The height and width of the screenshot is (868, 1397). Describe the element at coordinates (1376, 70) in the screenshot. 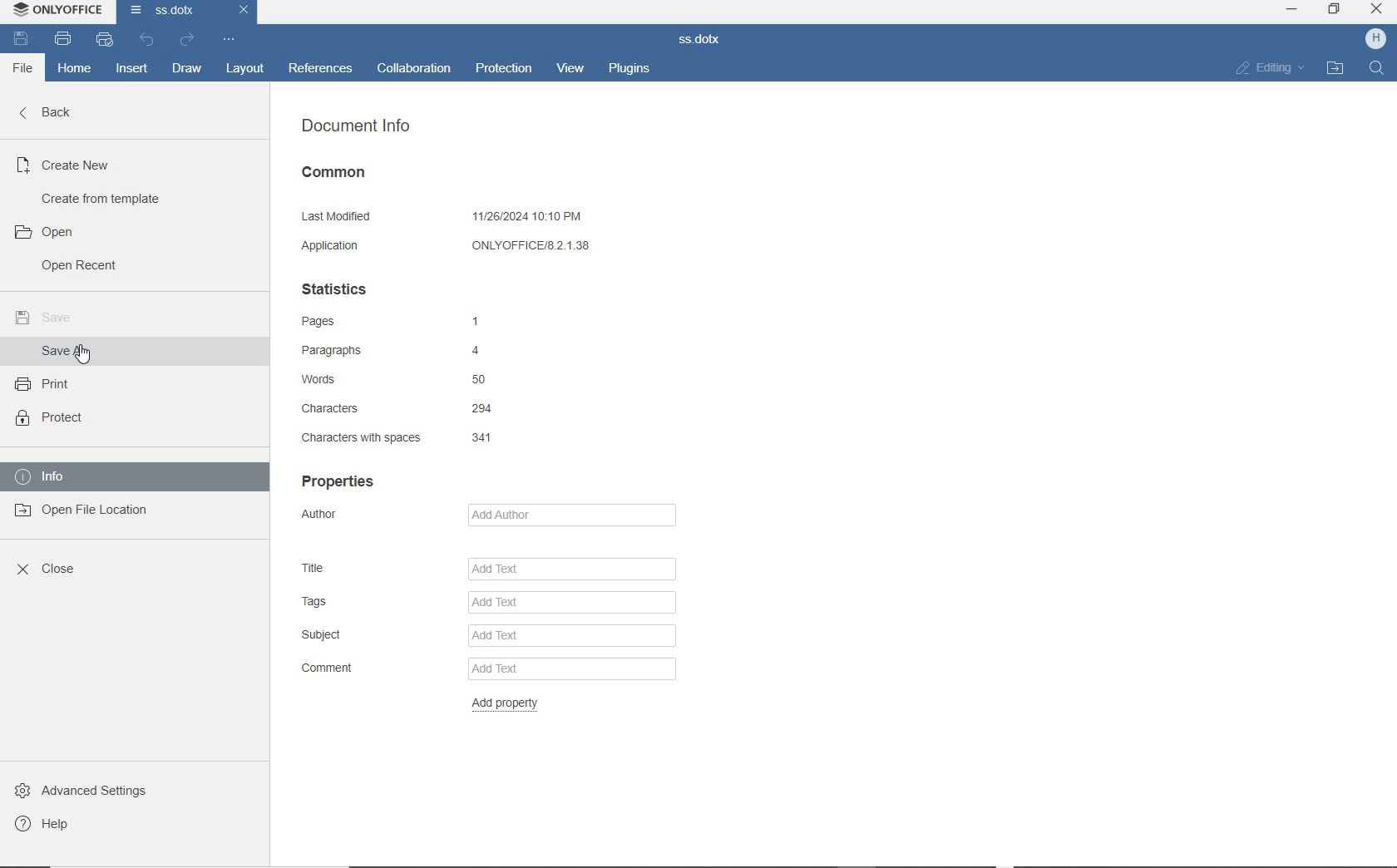

I see `FIND` at that location.